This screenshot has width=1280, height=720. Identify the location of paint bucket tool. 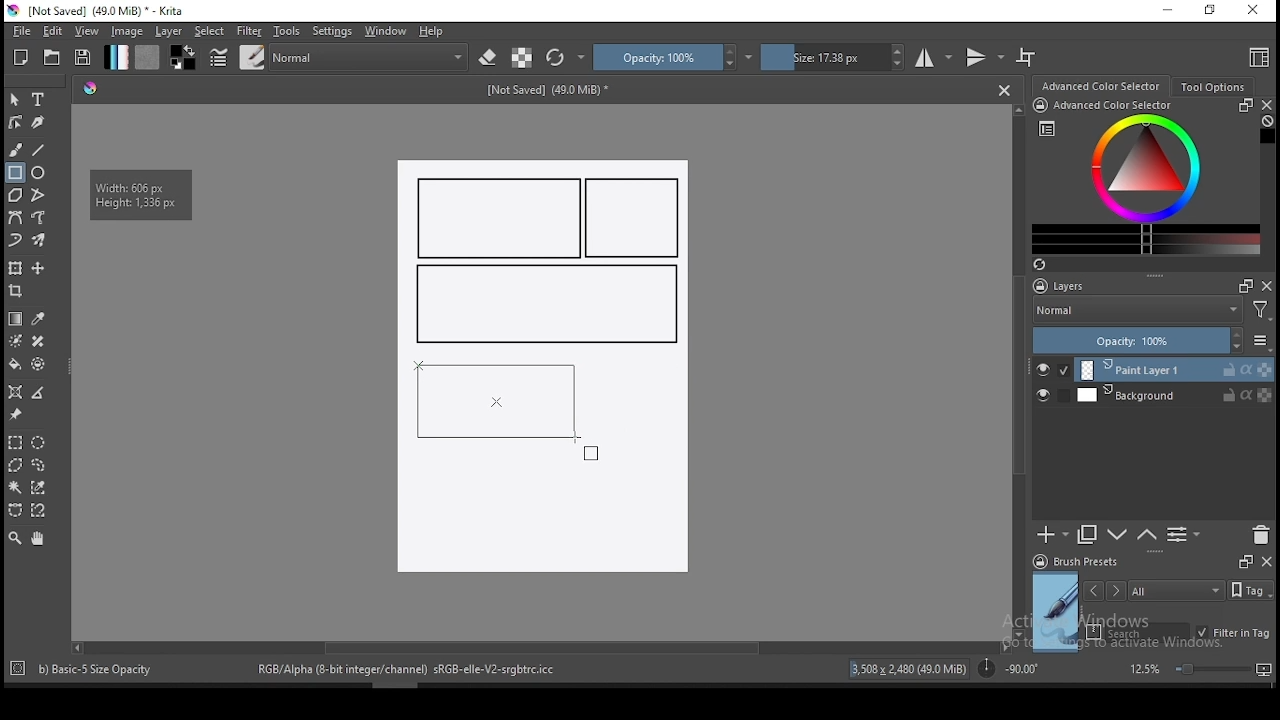
(15, 364).